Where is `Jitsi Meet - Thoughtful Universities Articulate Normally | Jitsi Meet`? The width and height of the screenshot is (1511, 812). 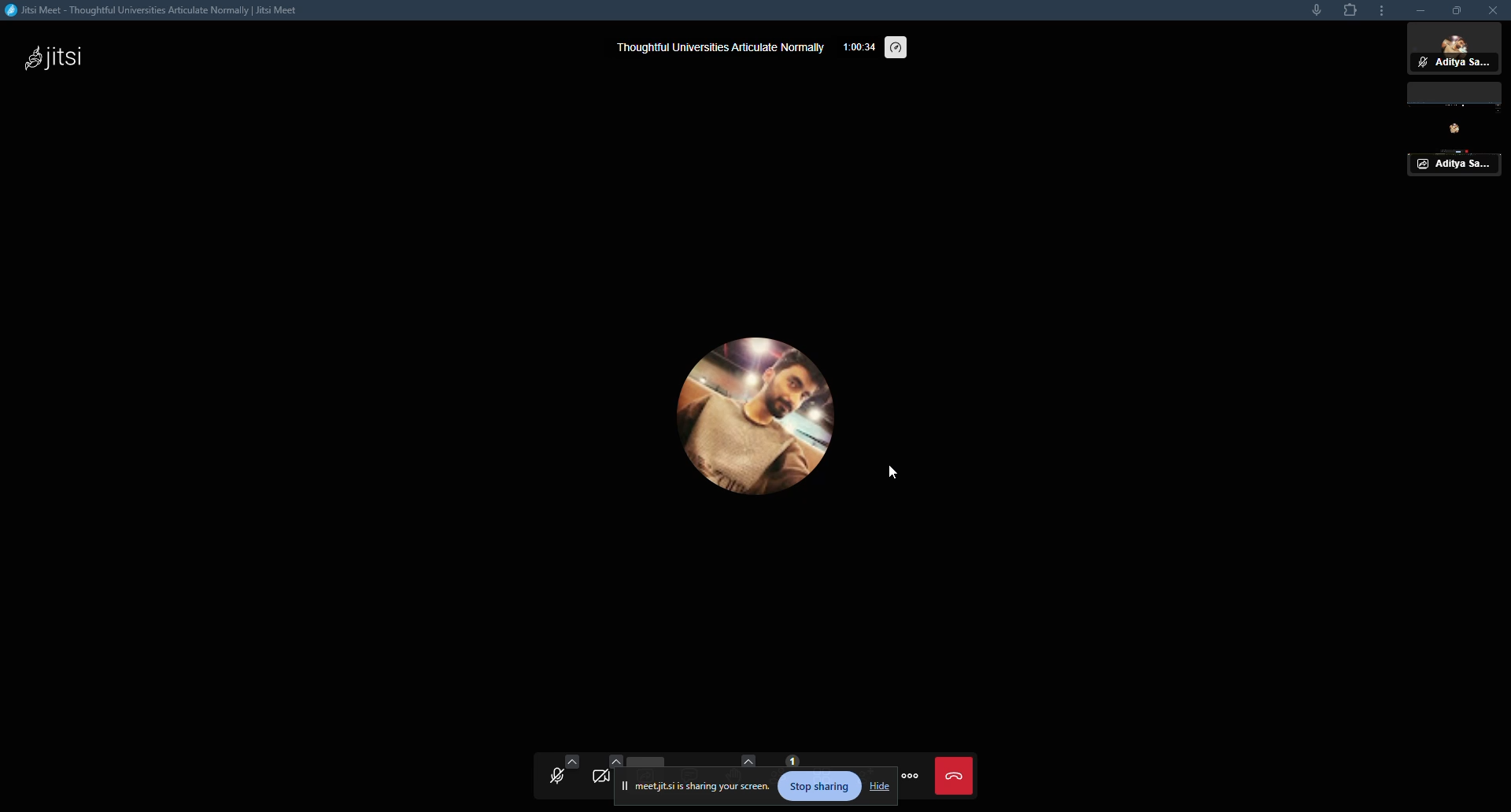 Jitsi Meet - Thoughtful Universities Articulate Normally | Jitsi Meet is located at coordinates (167, 11).